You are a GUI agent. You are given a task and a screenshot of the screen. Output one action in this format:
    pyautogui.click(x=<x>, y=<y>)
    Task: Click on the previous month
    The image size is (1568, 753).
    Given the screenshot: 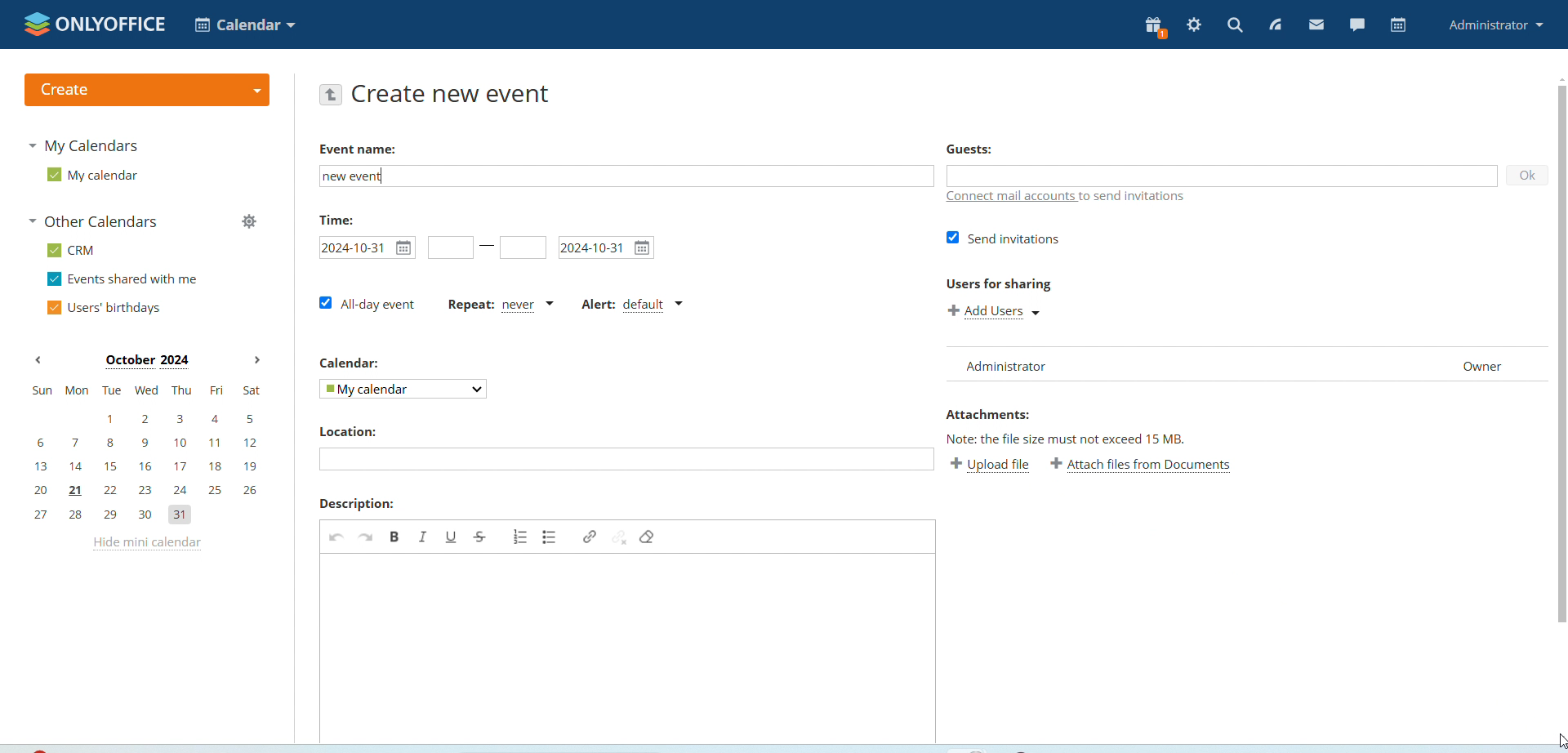 What is the action you would take?
    pyautogui.click(x=38, y=360)
    